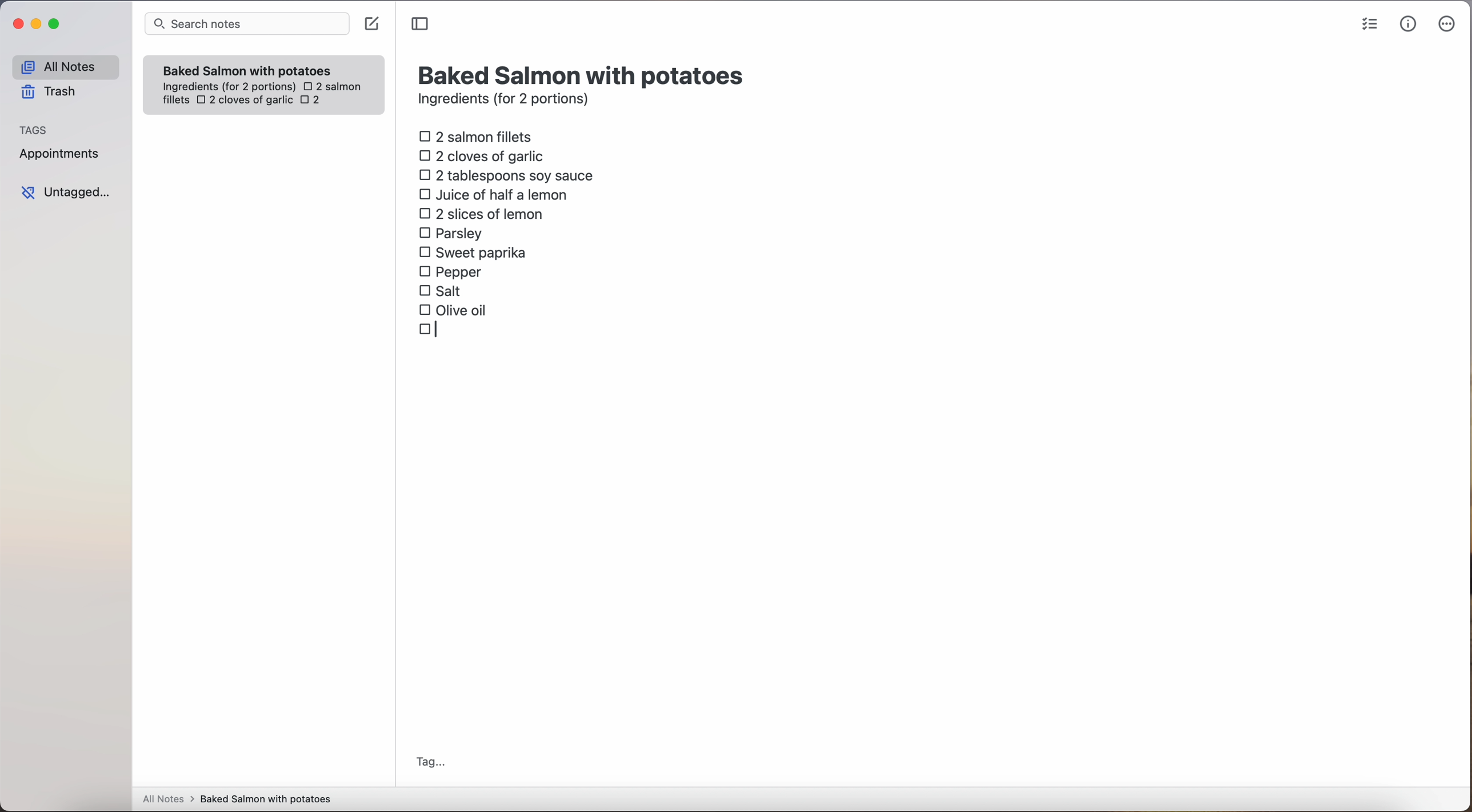 This screenshot has height=812, width=1472. What do you see at coordinates (485, 154) in the screenshot?
I see `2 cloves of garlic` at bounding box center [485, 154].